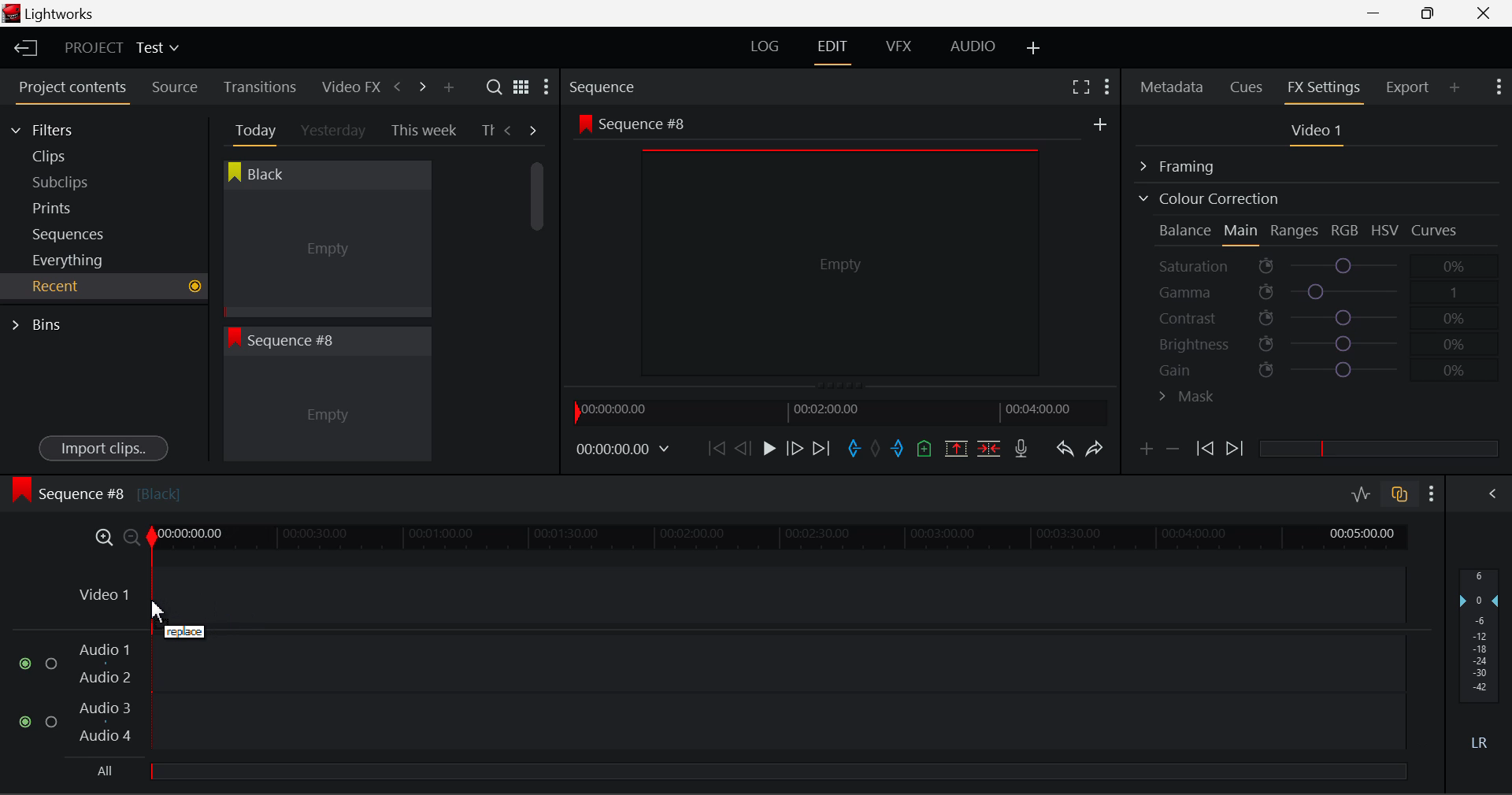 The width and height of the screenshot is (1512, 795). Describe the element at coordinates (101, 537) in the screenshot. I see `Timeline Zoom In` at that location.